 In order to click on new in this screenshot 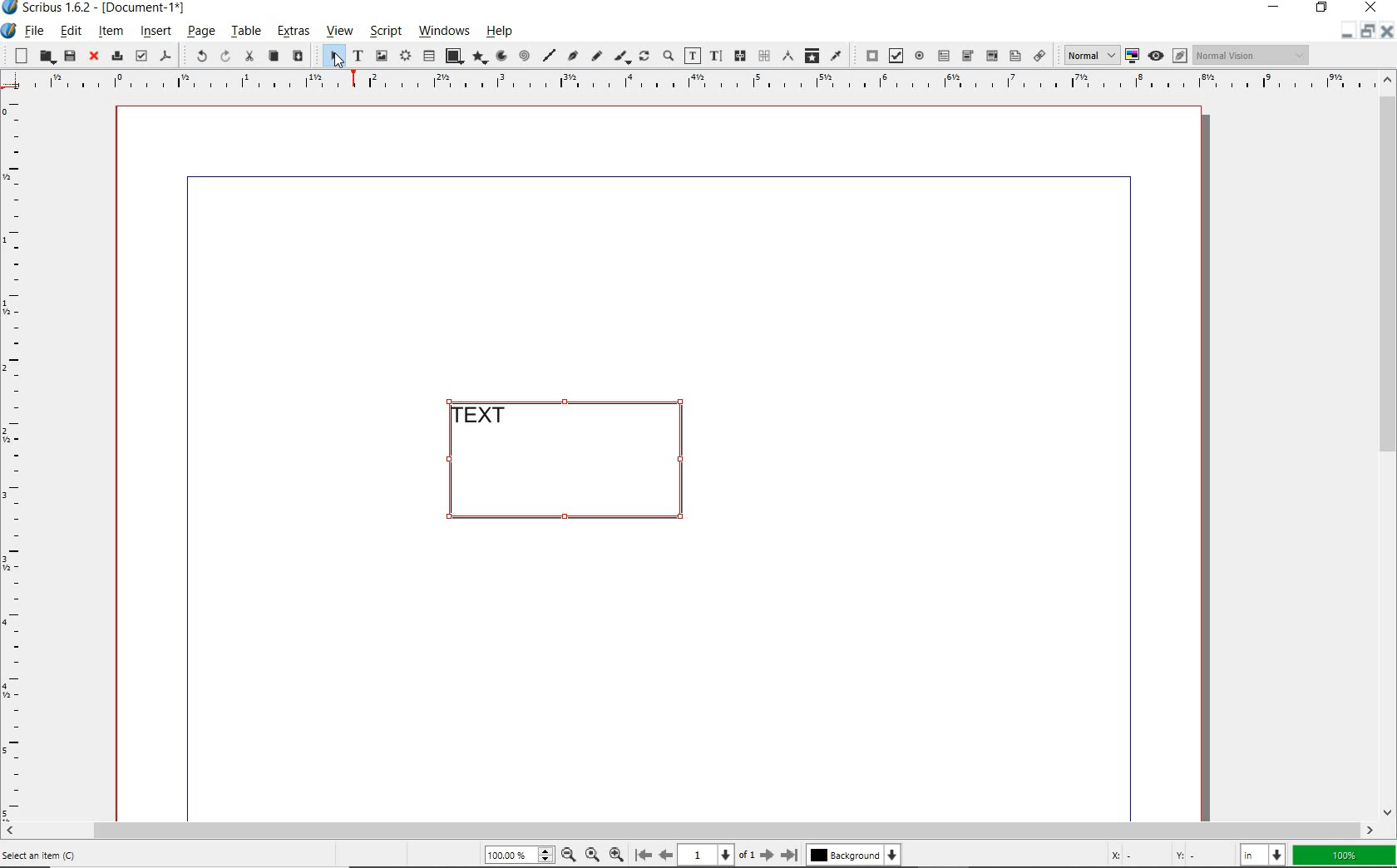, I will do `click(21, 55)`.